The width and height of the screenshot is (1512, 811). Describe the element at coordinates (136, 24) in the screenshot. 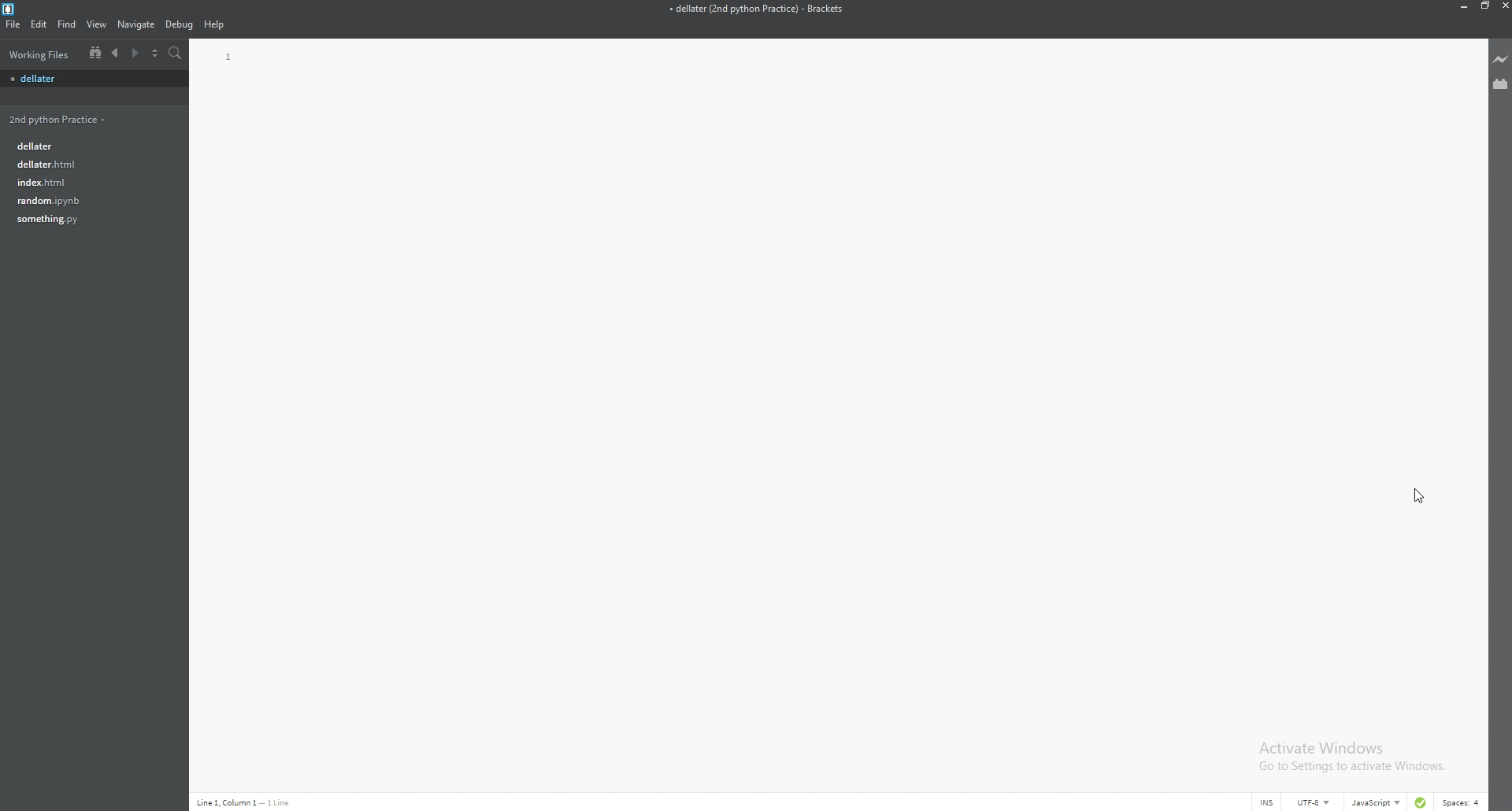

I see `navigate` at that location.